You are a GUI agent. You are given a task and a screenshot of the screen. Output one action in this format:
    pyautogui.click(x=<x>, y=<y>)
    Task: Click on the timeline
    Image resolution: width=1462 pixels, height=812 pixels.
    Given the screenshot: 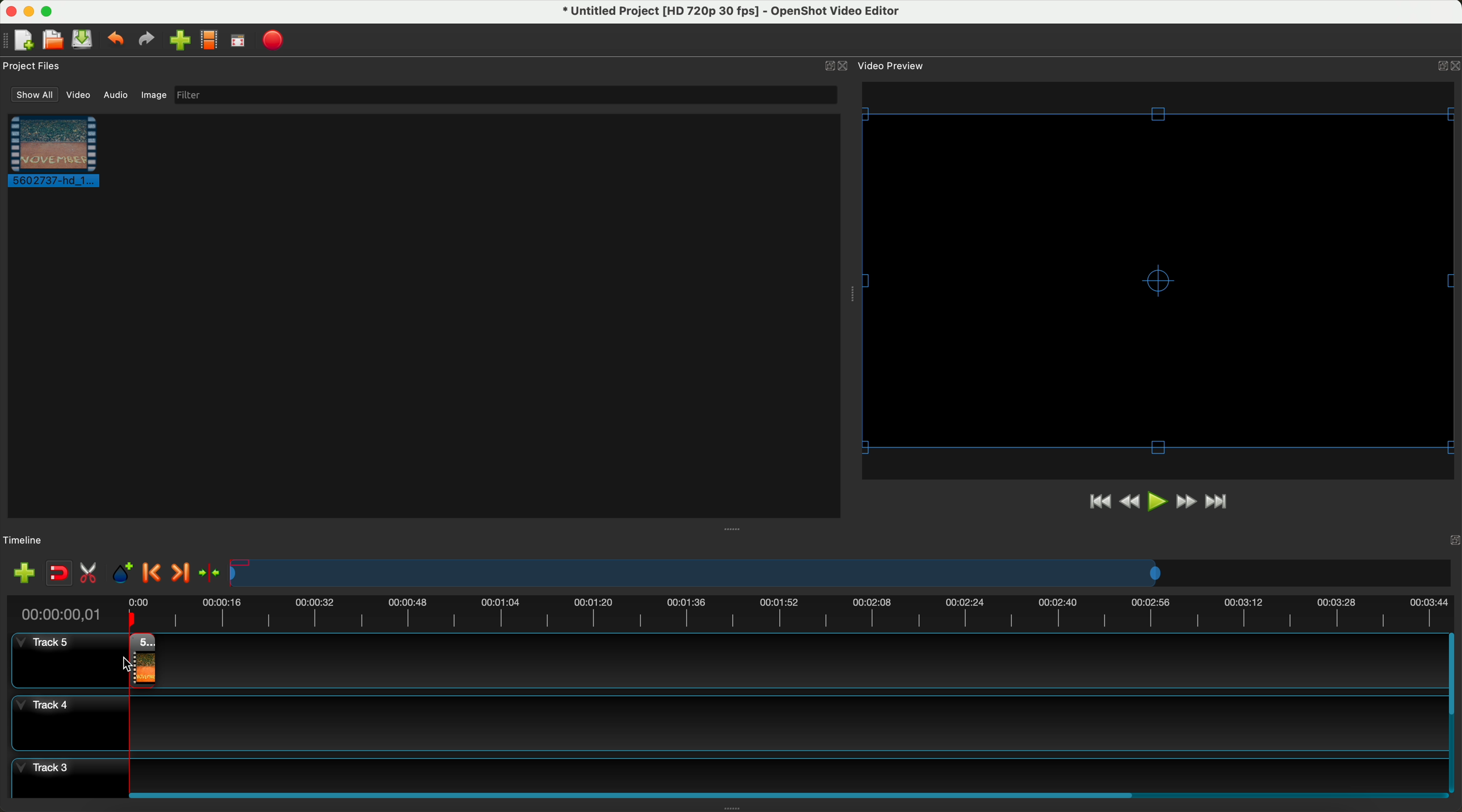 What is the action you would take?
    pyautogui.click(x=841, y=572)
    